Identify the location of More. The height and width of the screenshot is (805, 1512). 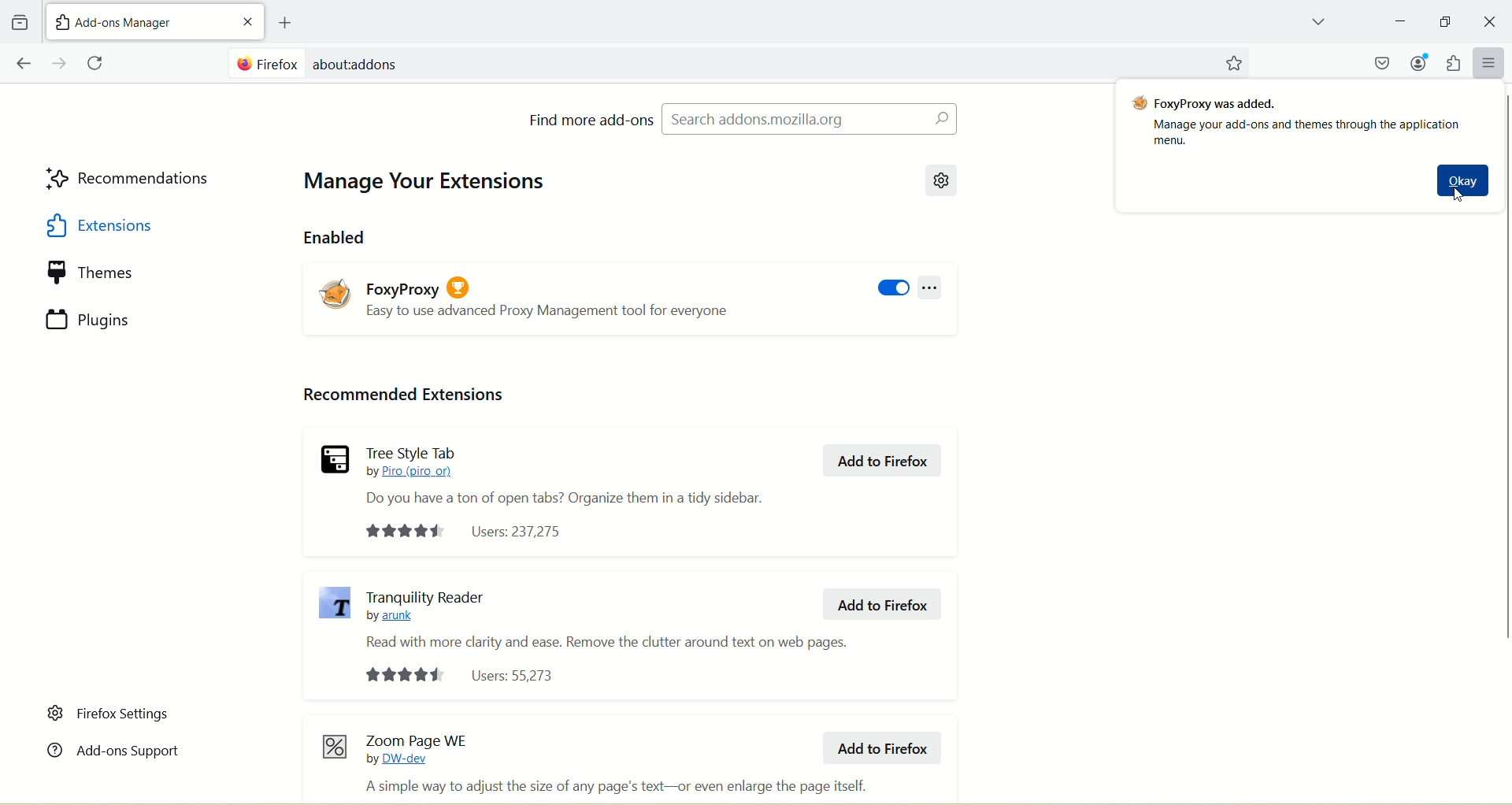
(930, 287).